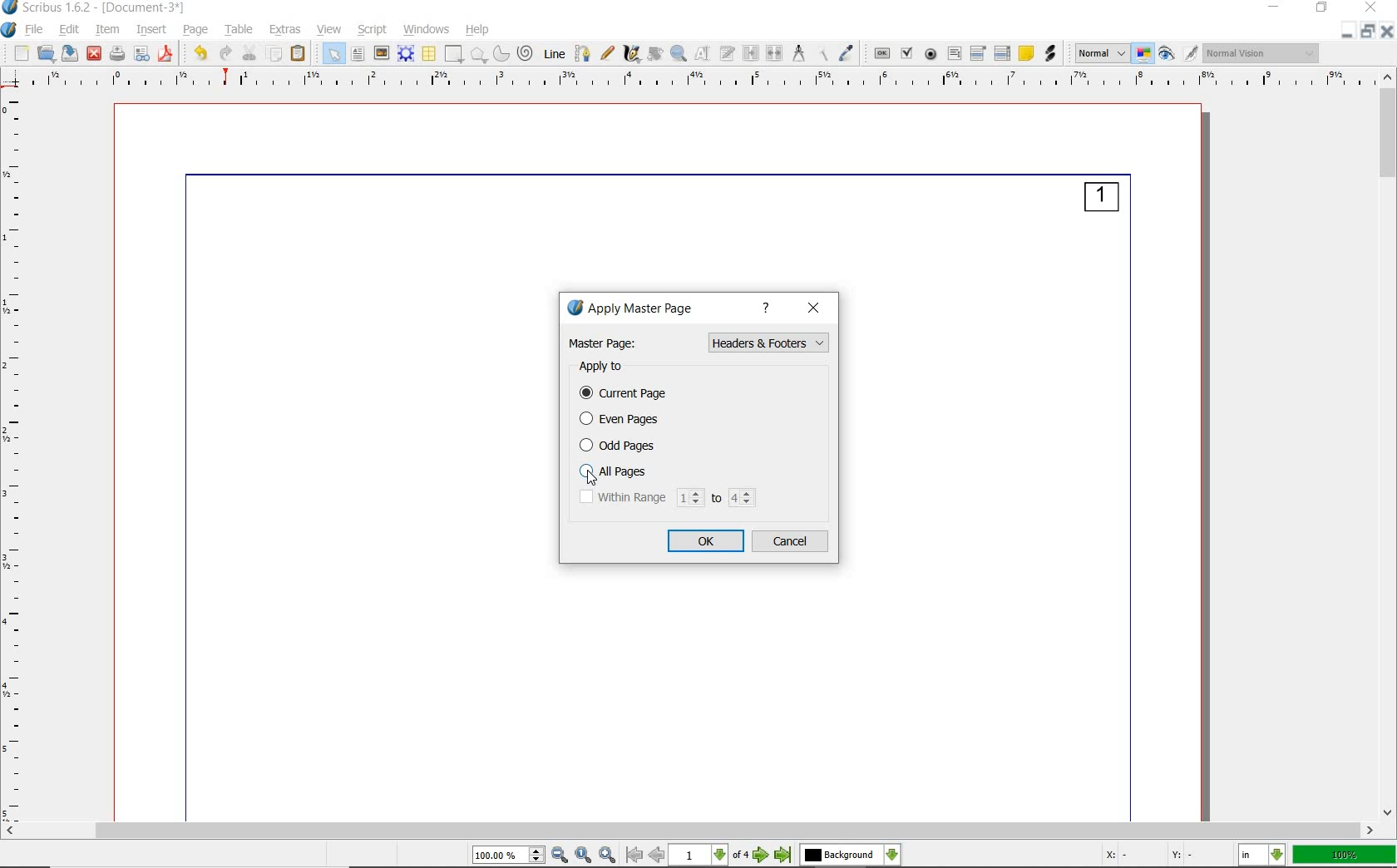 Image resolution: width=1397 pixels, height=868 pixels. Describe the element at coordinates (979, 54) in the screenshot. I see `pdf combo box` at that location.